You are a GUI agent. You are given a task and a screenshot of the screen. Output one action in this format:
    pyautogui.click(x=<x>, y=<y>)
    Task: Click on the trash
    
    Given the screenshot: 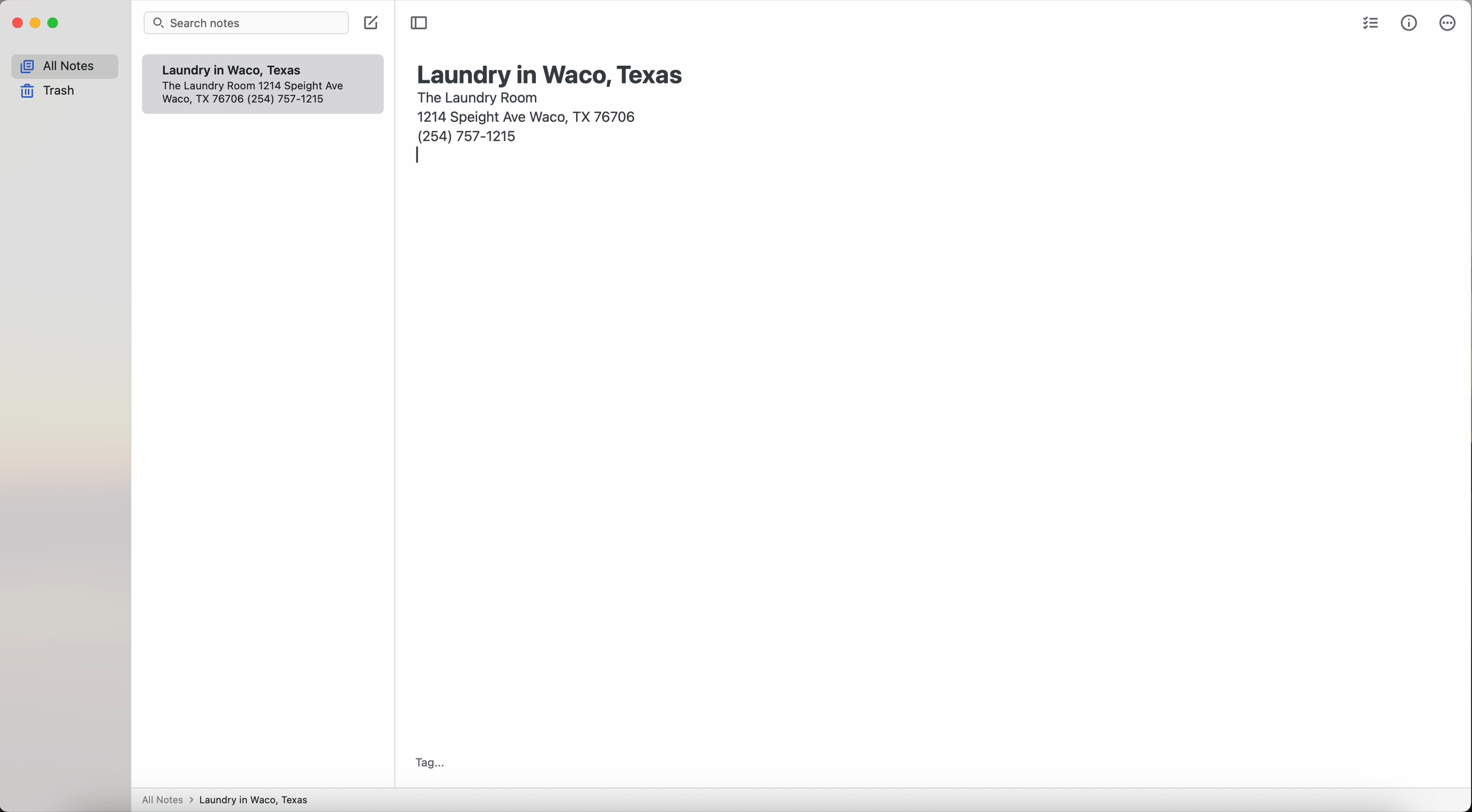 What is the action you would take?
    pyautogui.click(x=51, y=92)
    